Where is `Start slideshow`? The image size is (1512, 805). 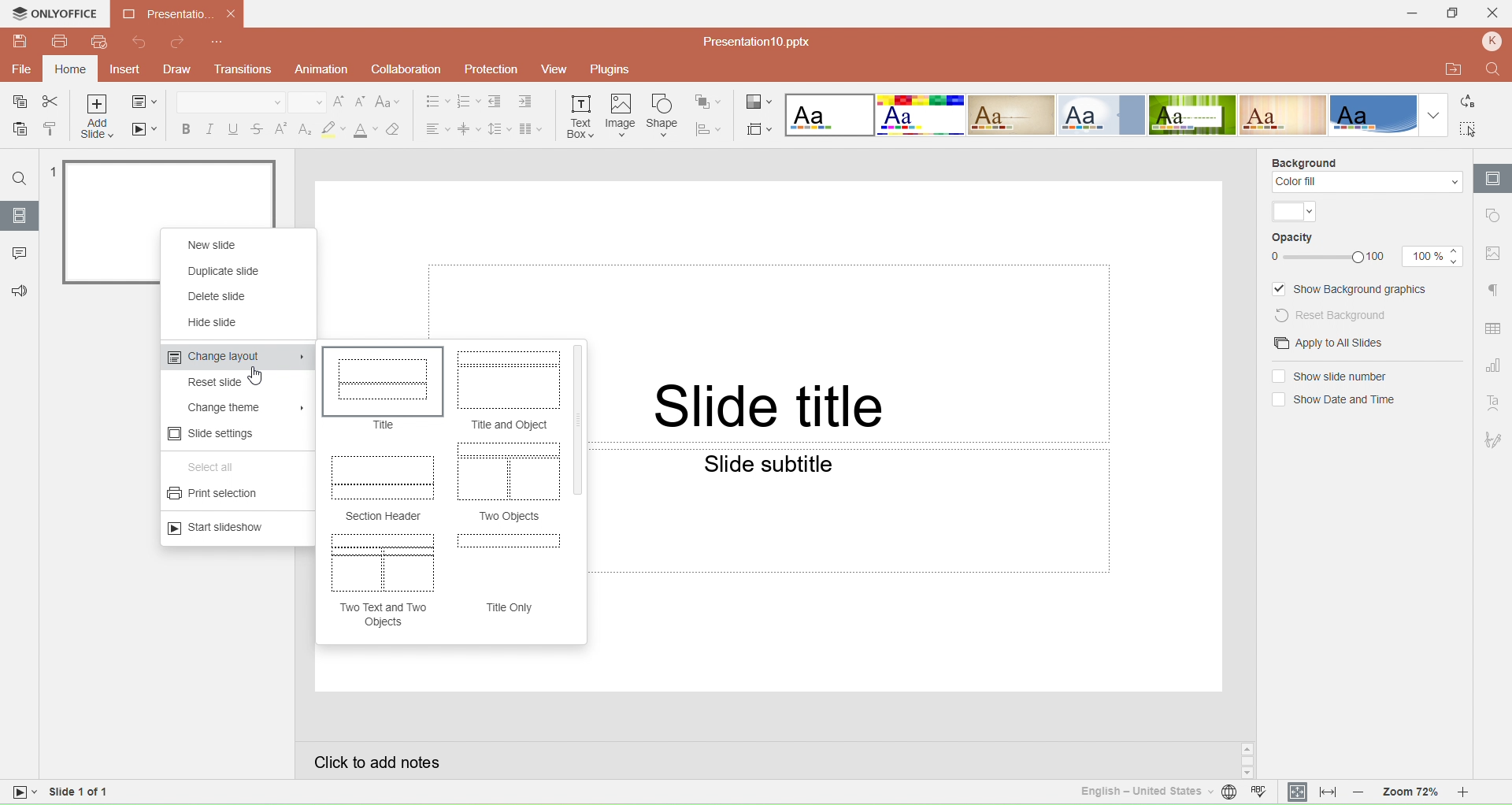
Start slideshow is located at coordinates (220, 528).